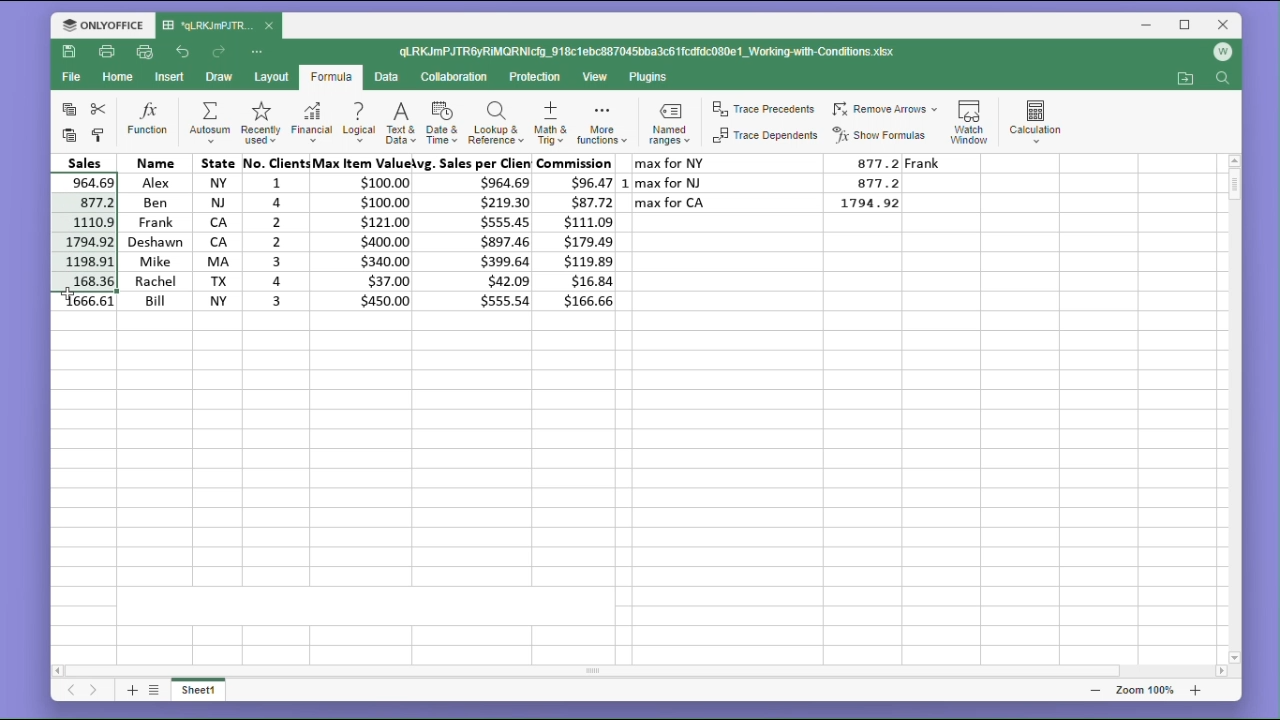  I want to click on text & data, so click(399, 125).